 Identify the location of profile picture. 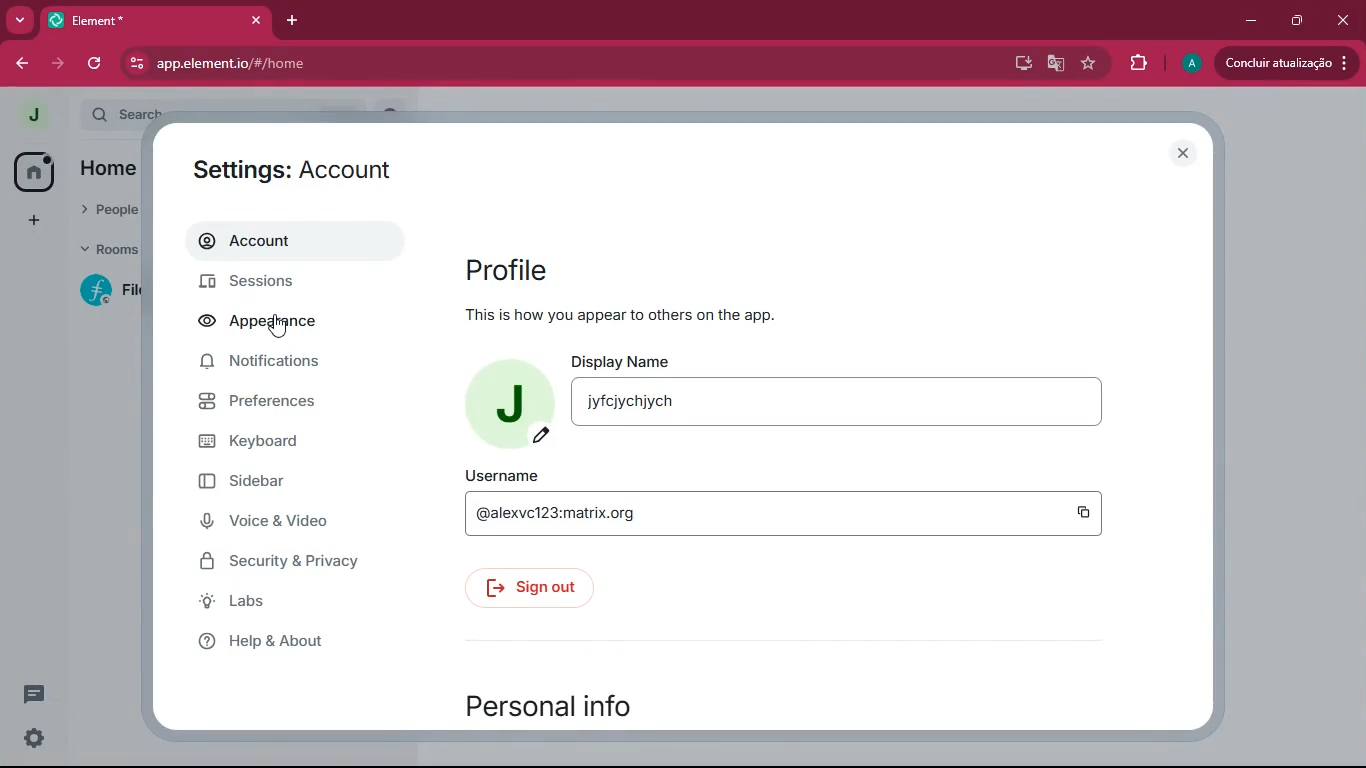
(505, 402).